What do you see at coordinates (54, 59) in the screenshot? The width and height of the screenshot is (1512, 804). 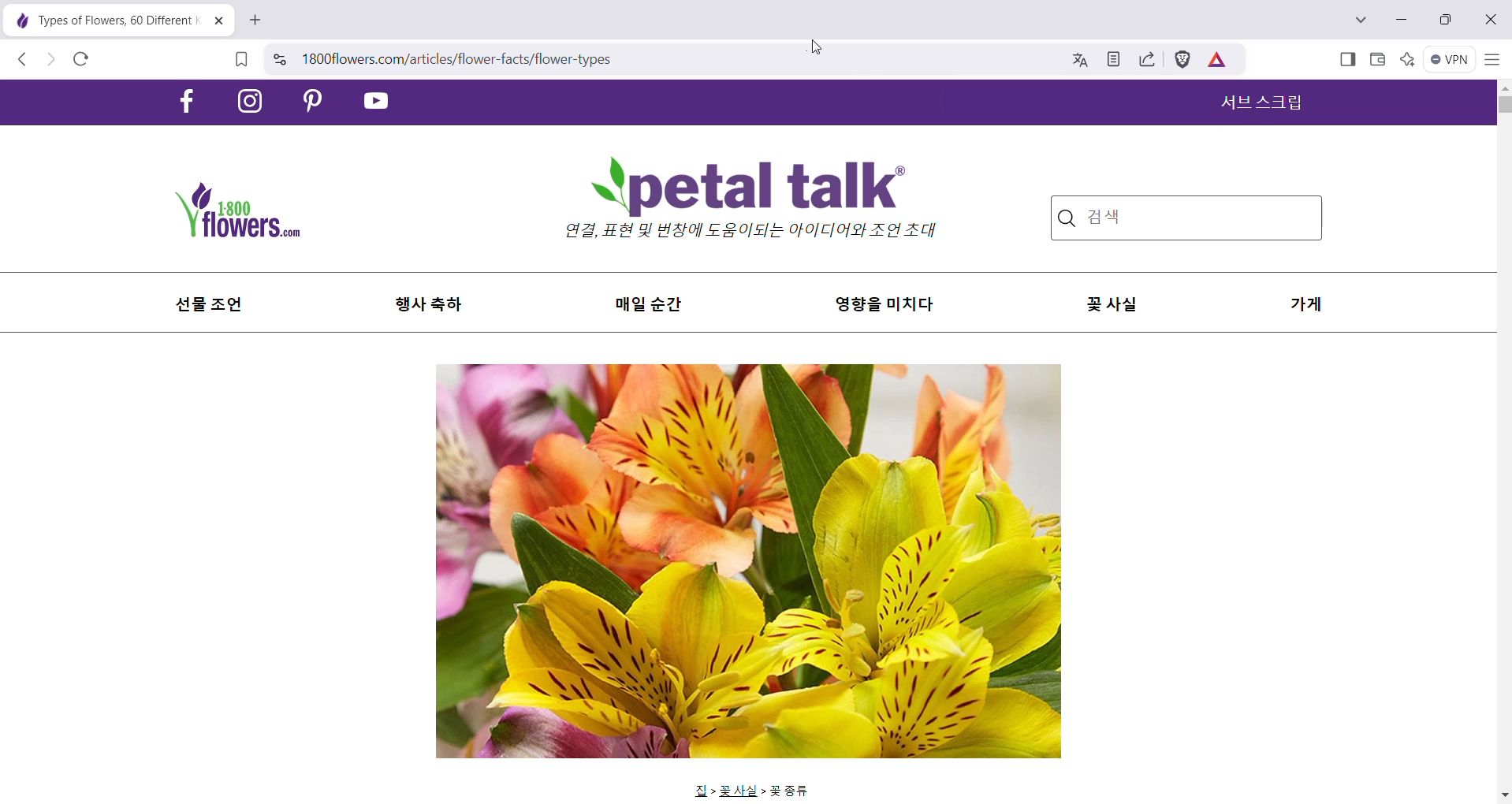 I see `Click to go forward, hold to see history` at bounding box center [54, 59].